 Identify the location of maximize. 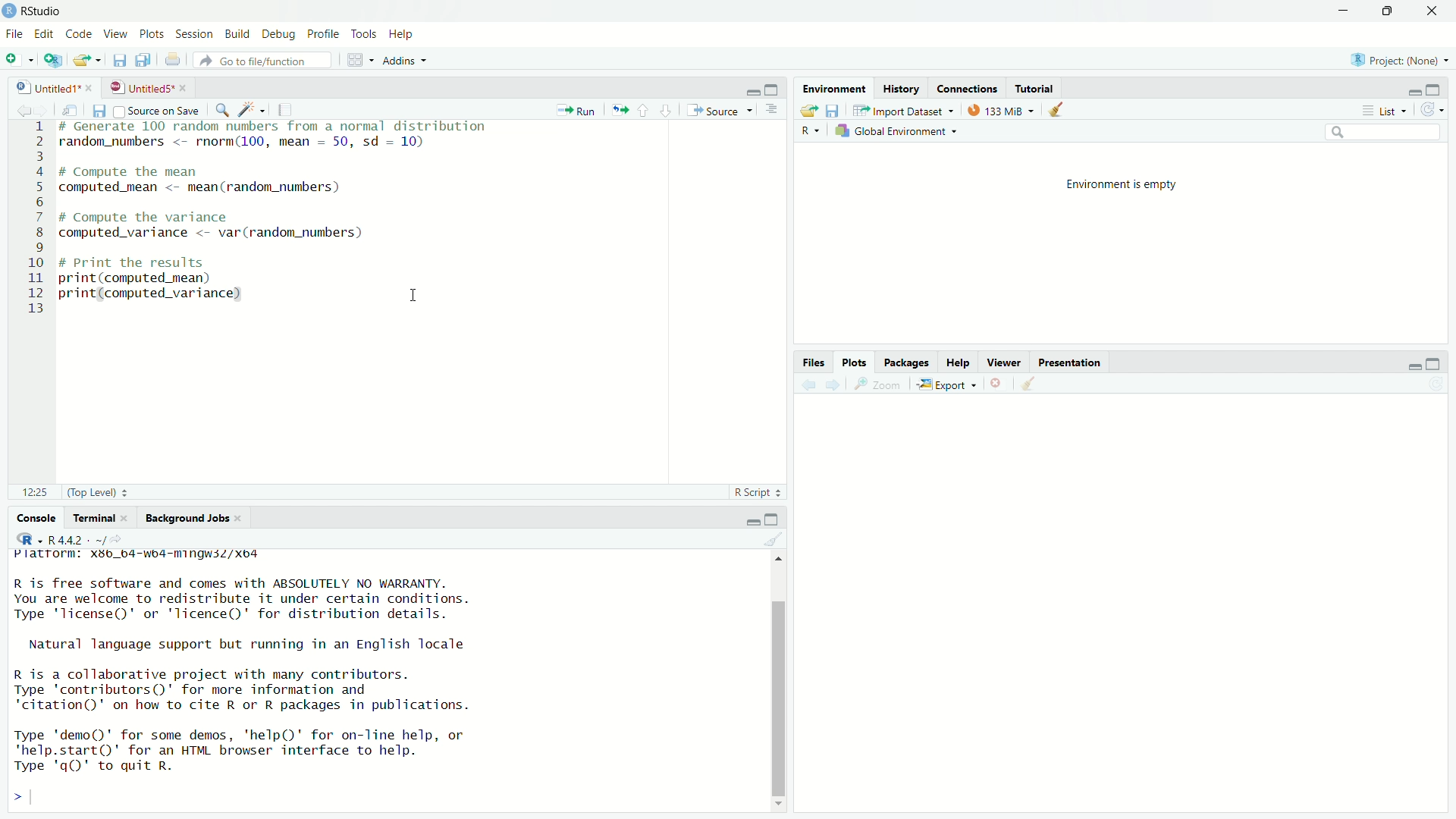
(775, 516).